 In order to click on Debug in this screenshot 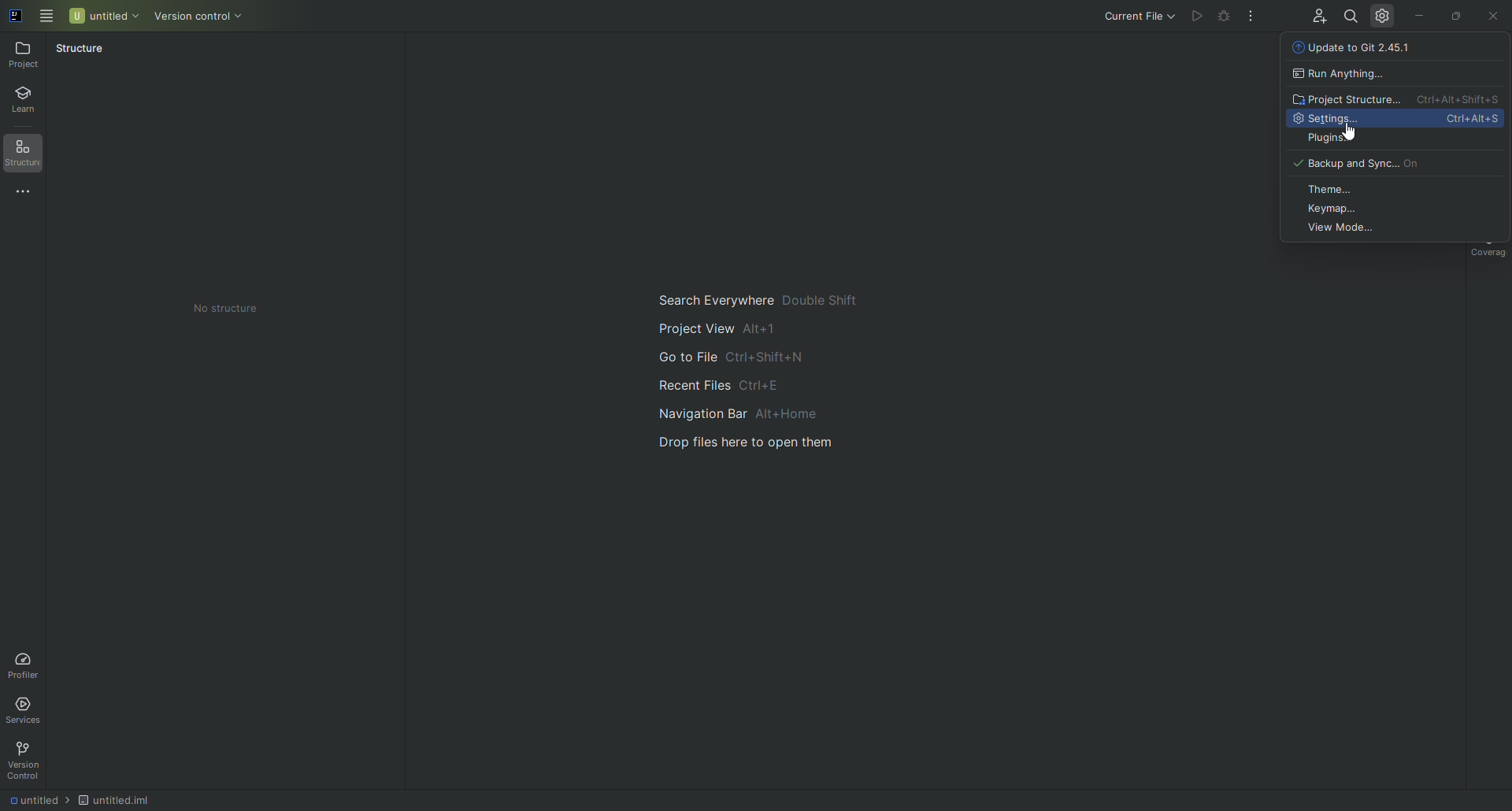, I will do `click(1222, 17)`.